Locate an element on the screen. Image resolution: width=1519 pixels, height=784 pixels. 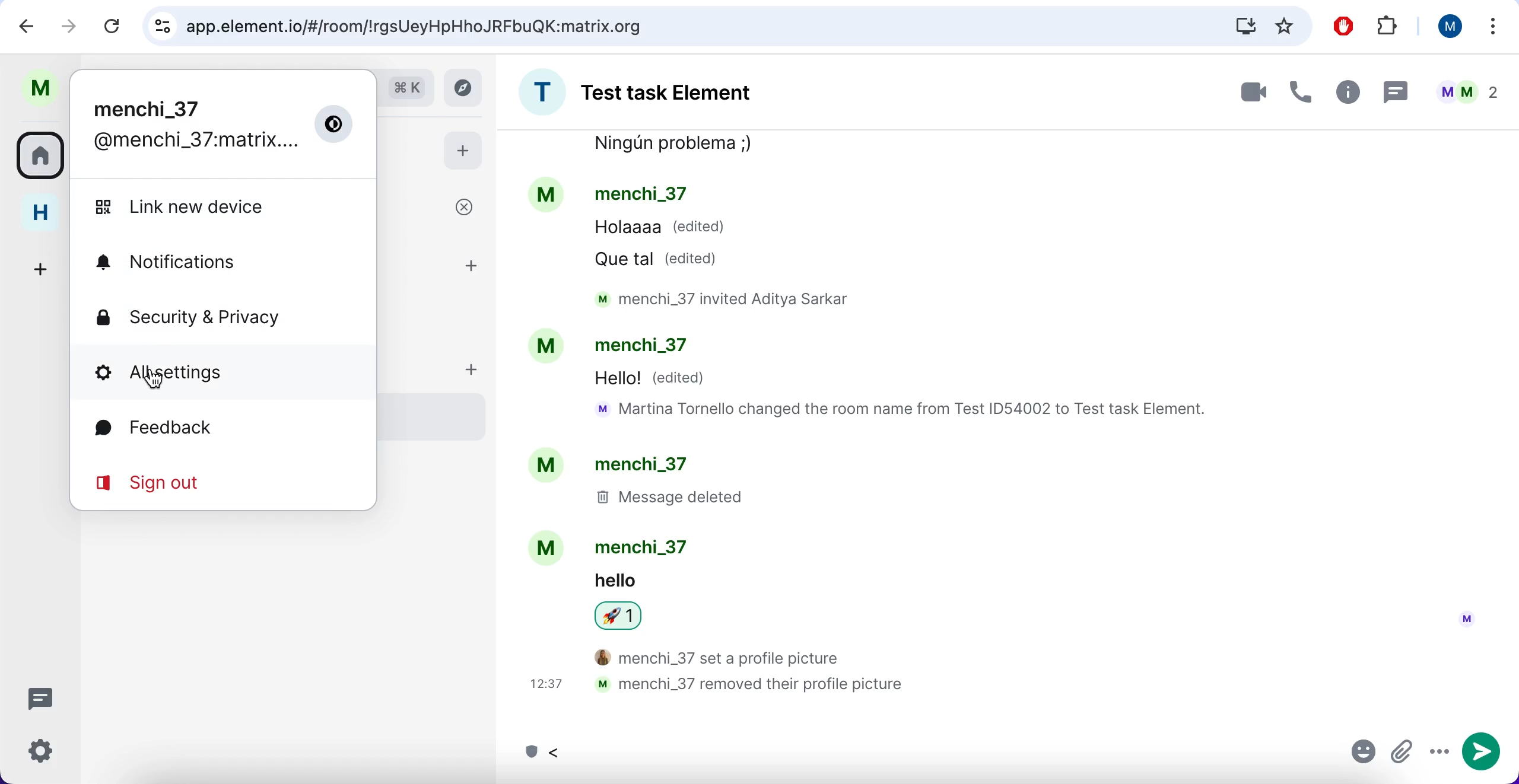
all settings is located at coordinates (210, 372).